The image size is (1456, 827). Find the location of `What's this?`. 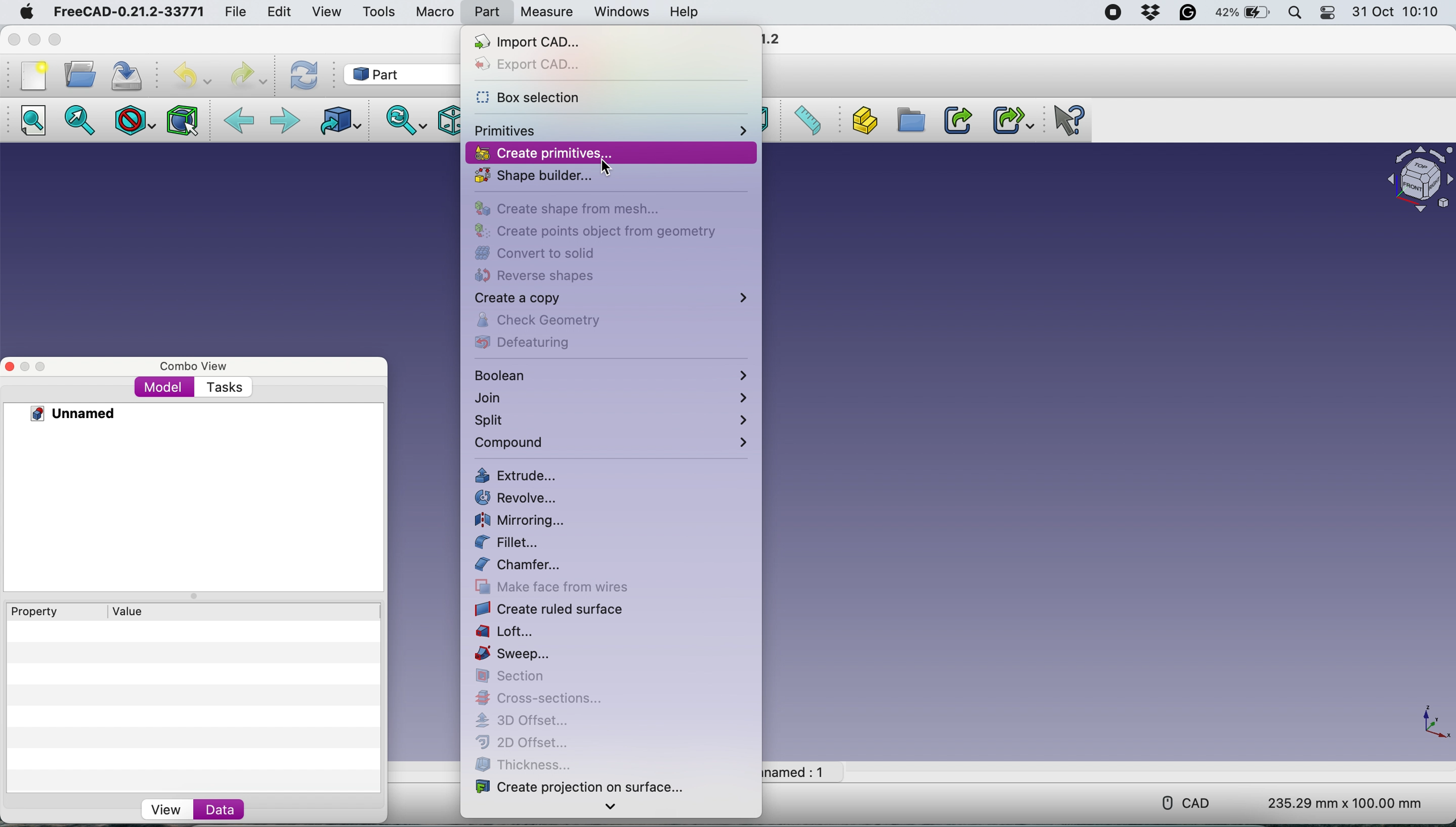

What's this? is located at coordinates (1067, 120).